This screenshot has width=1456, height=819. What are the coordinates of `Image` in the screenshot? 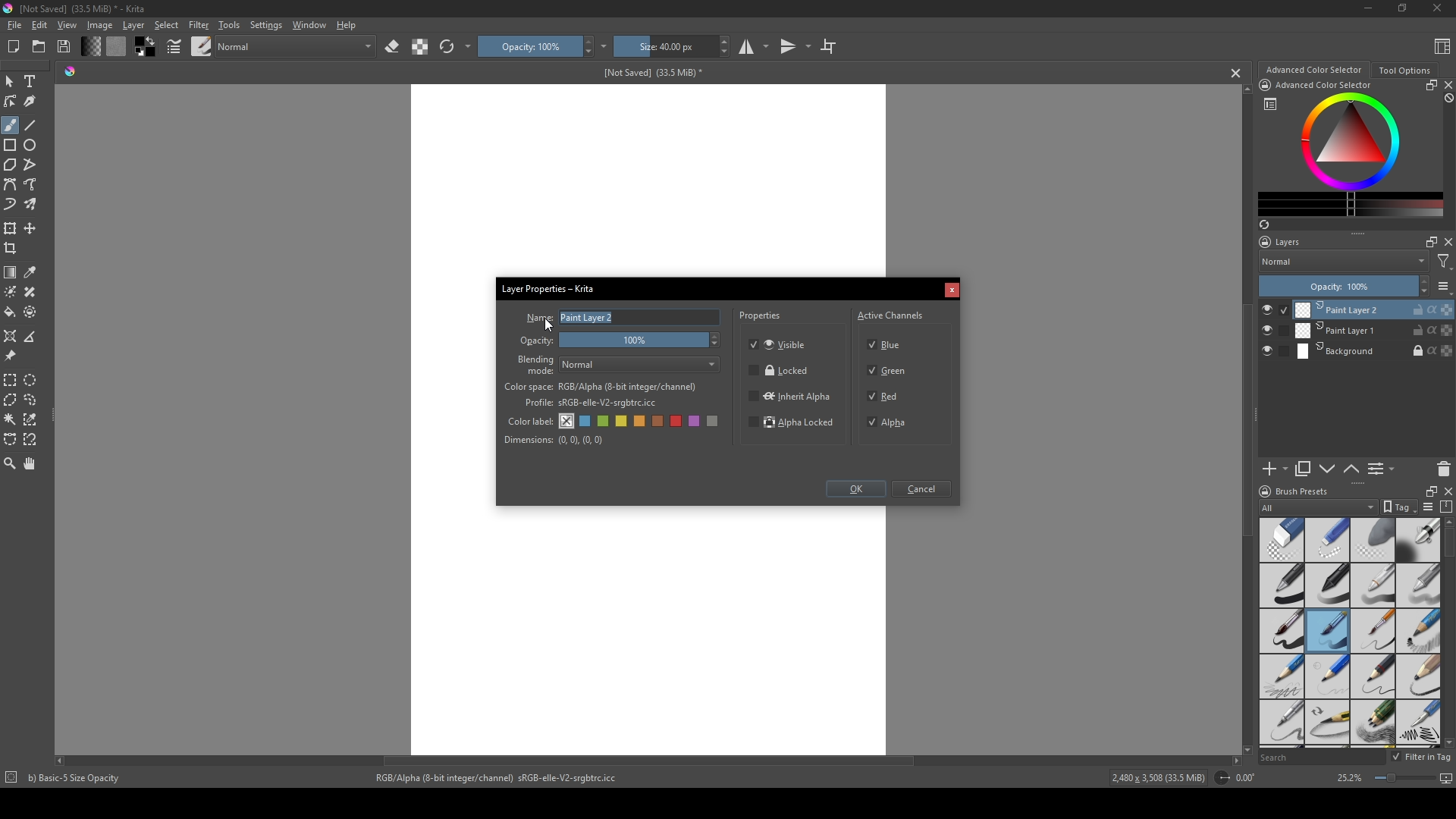 It's located at (99, 25).